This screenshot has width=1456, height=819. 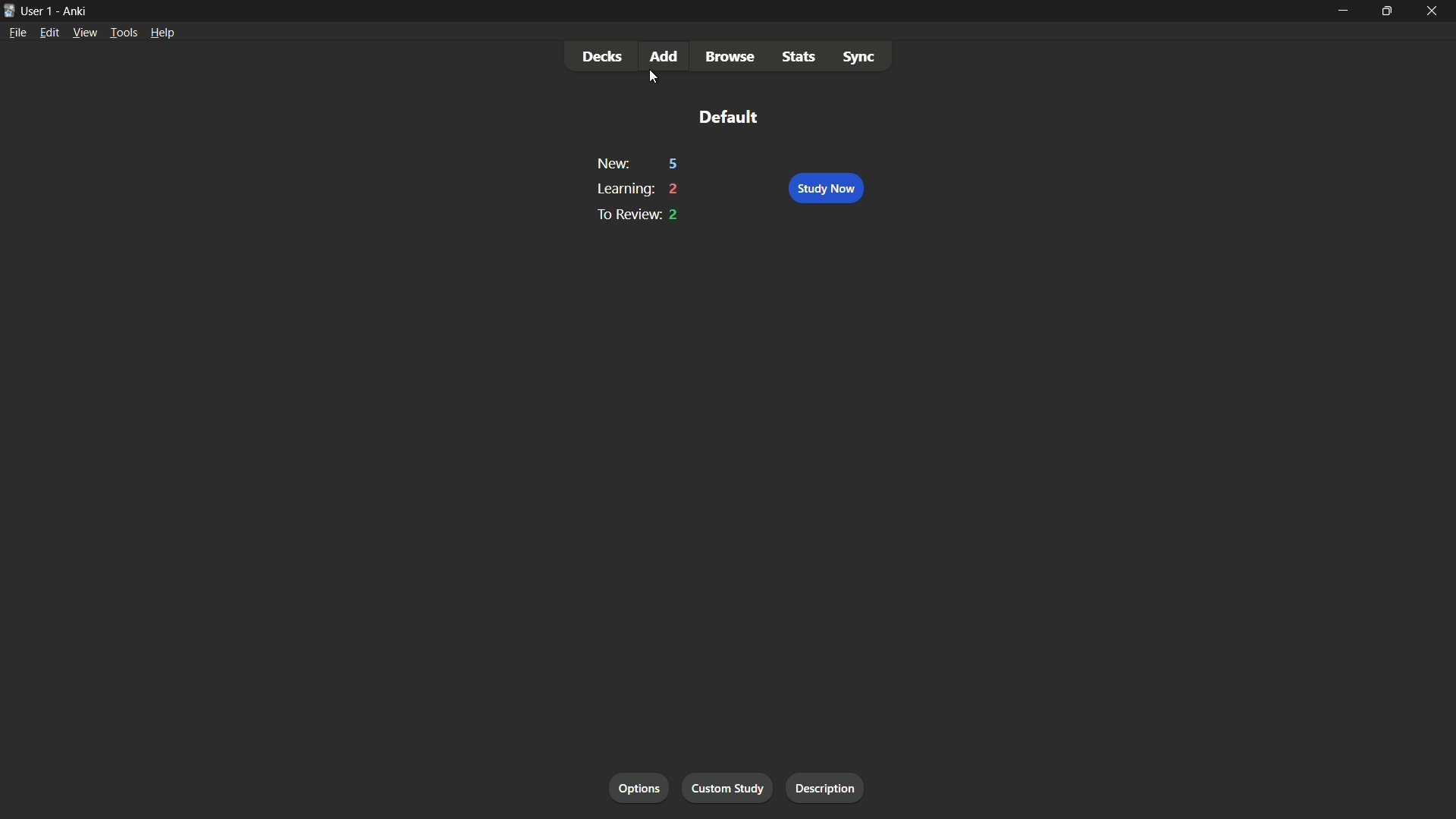 What do you see at coordinates (674, 189) in the screenshot?
I see `2` at bounding box center [674, 189].